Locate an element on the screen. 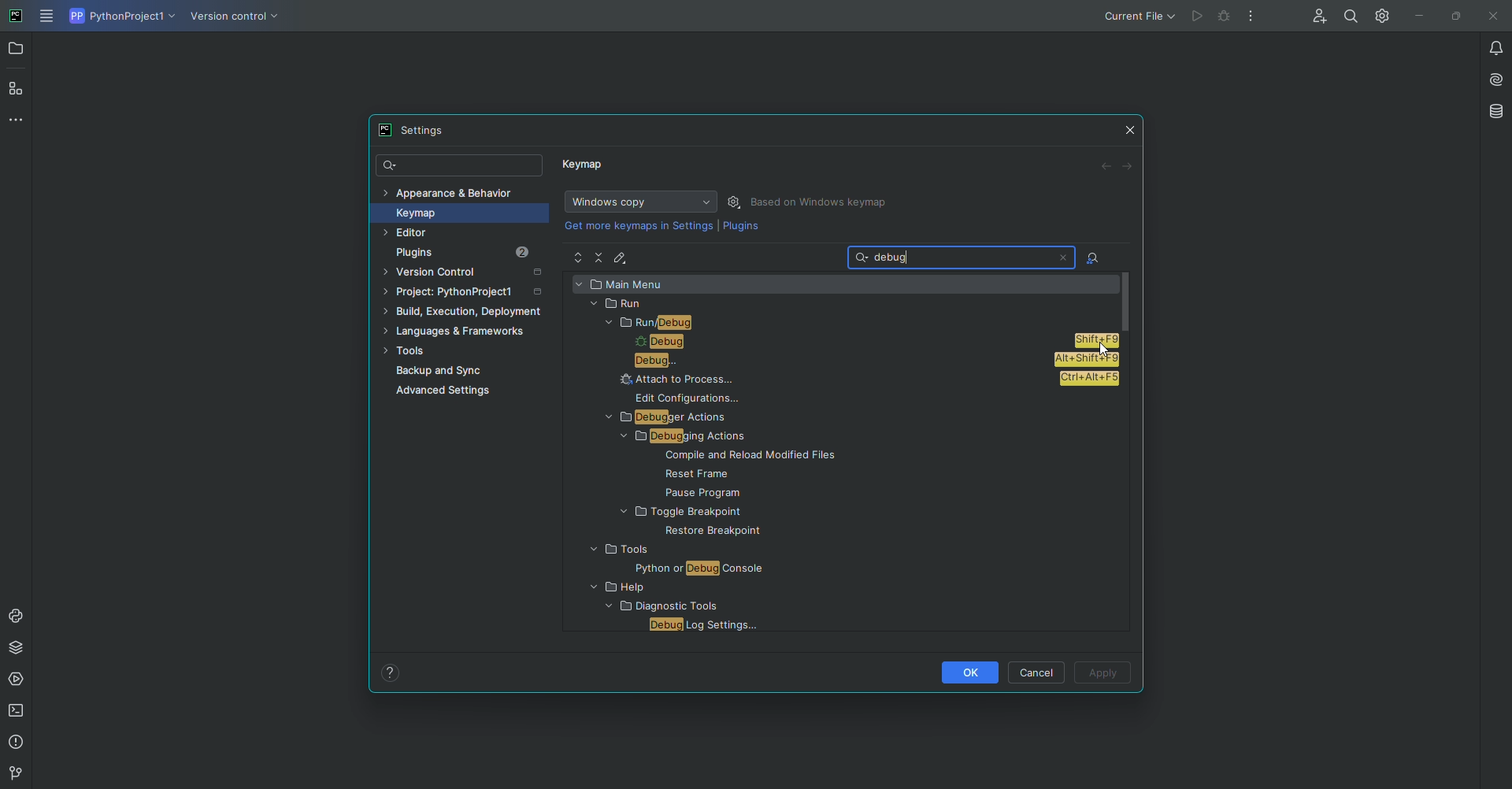 The width and height of the screenshot is (1512, 789). Notifications is located at coordinates (1487, 47).